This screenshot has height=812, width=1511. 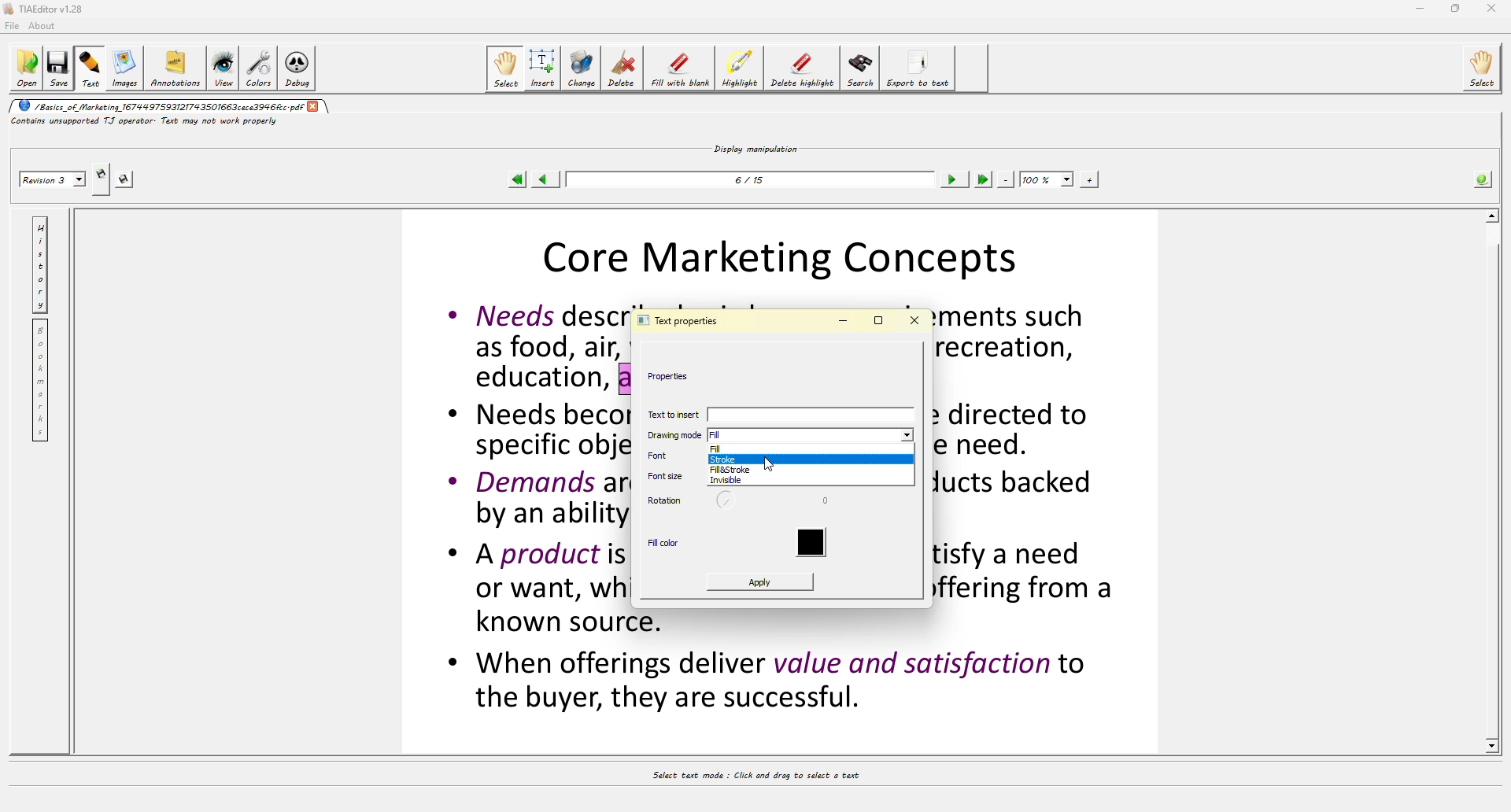 What do you see at coordinates (54, 180) in the screenshot?
I see `revision 2` at bounding box center [54, 180].